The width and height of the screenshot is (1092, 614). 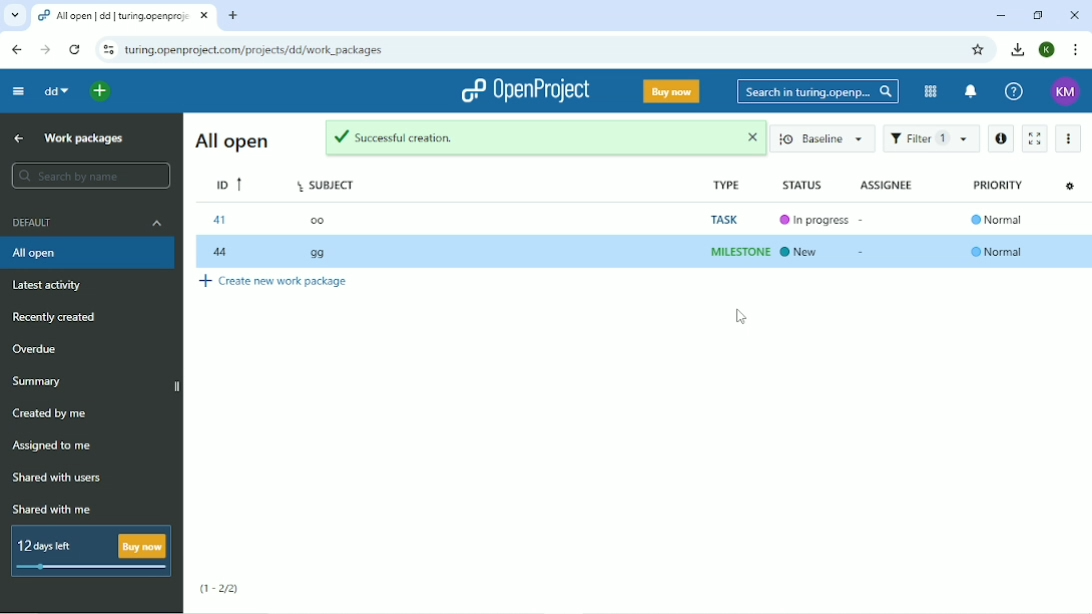 I want to click on Search by name, so click(x=90, y=175).